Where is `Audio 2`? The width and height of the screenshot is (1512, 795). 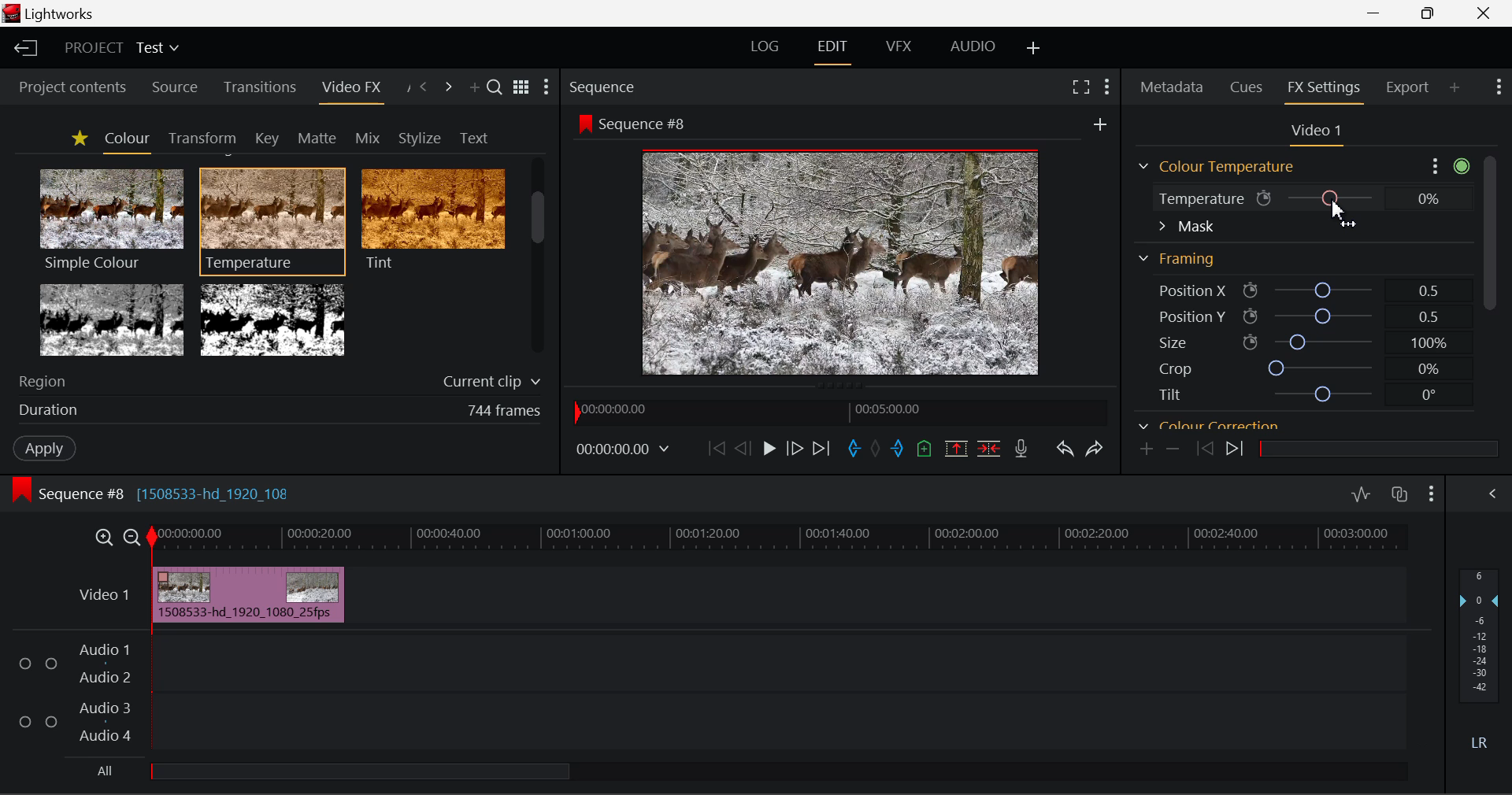 Audio 2 is located at coordinates (98, 675).